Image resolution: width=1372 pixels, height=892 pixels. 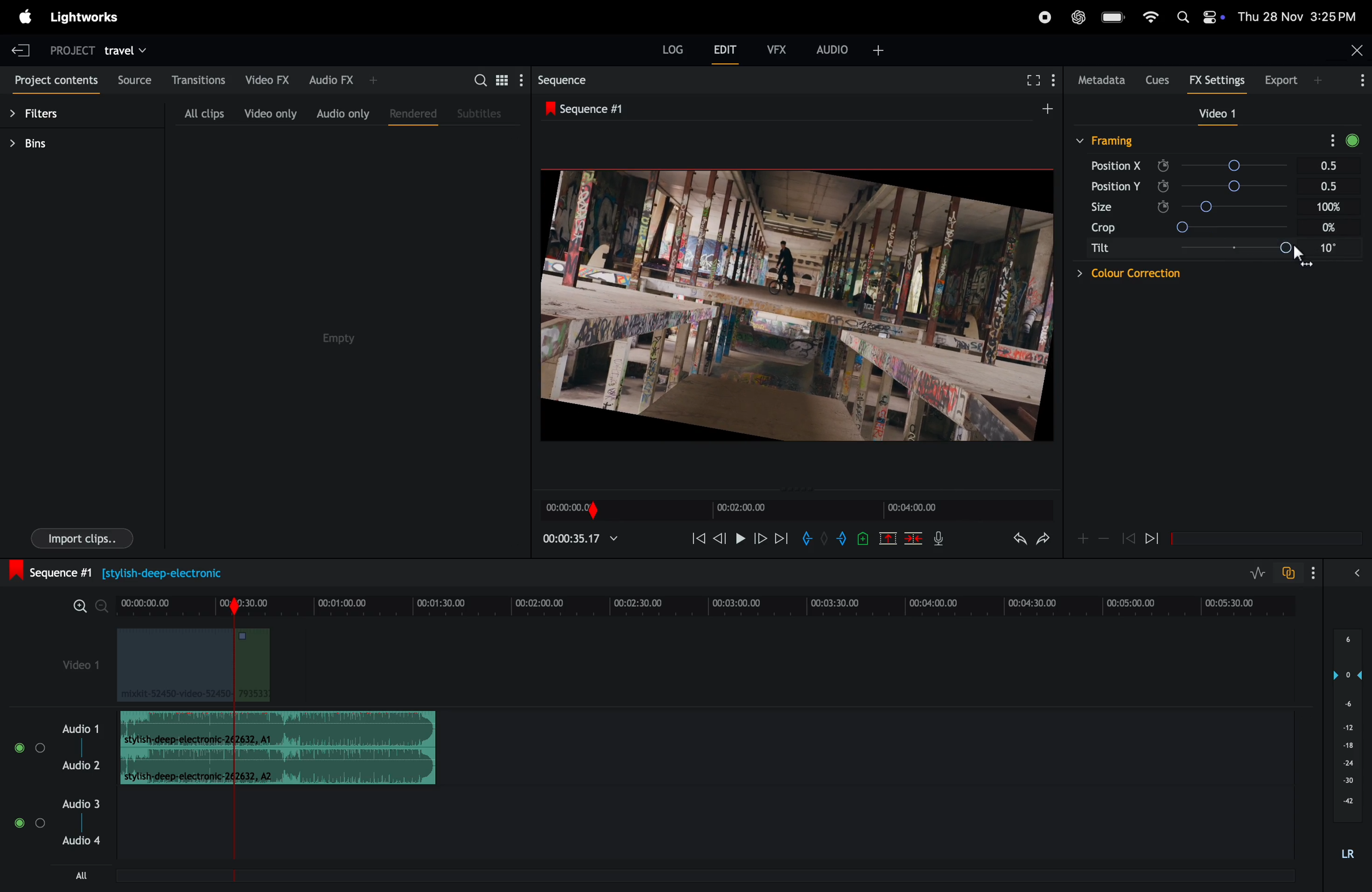 What do you see at coordinates (1117, 141) in the screenshot?
I see `framing` at bounding box center [1117, 141].